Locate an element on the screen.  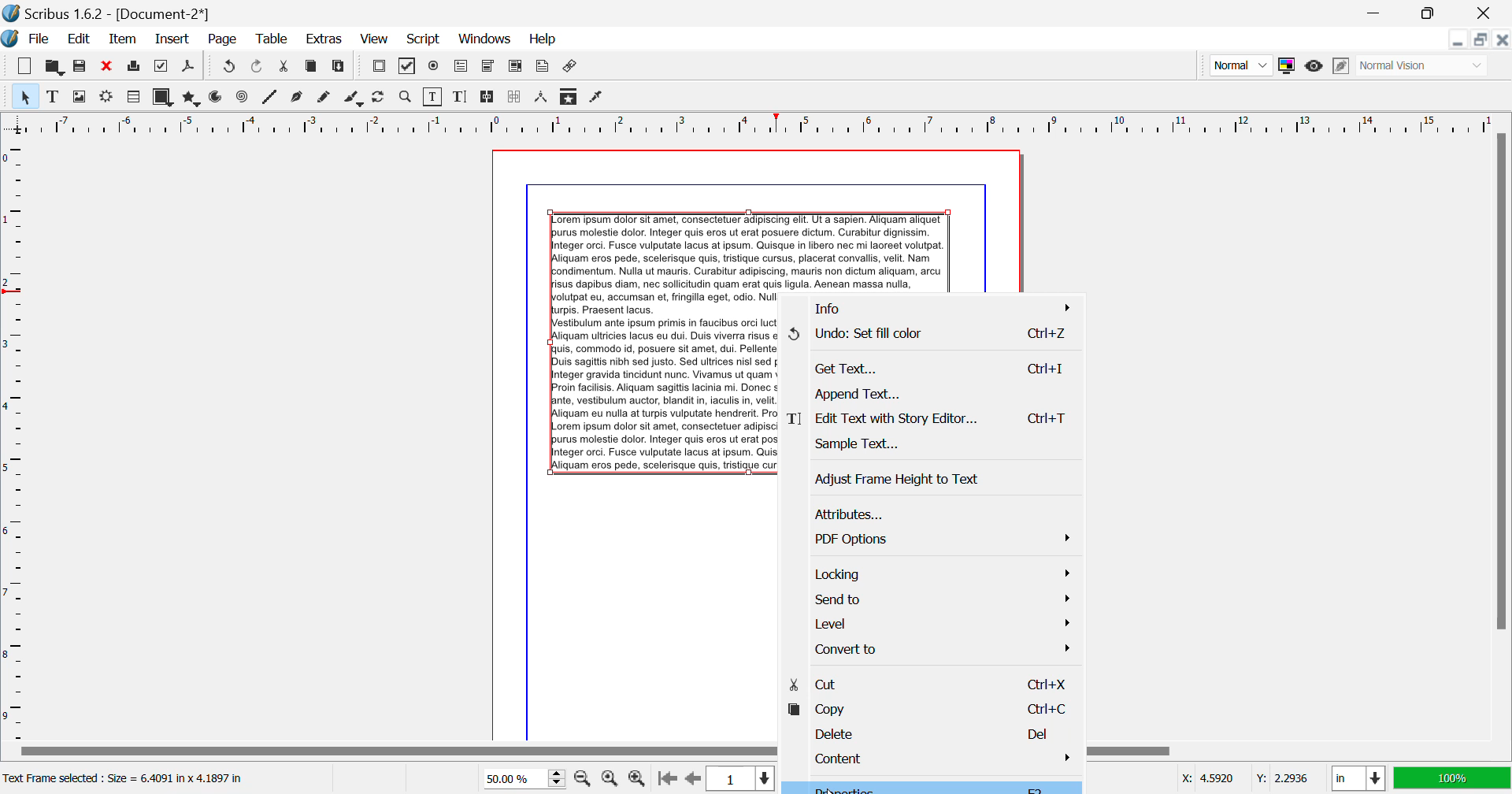
Sample Text is located at coordinates (932, 447).